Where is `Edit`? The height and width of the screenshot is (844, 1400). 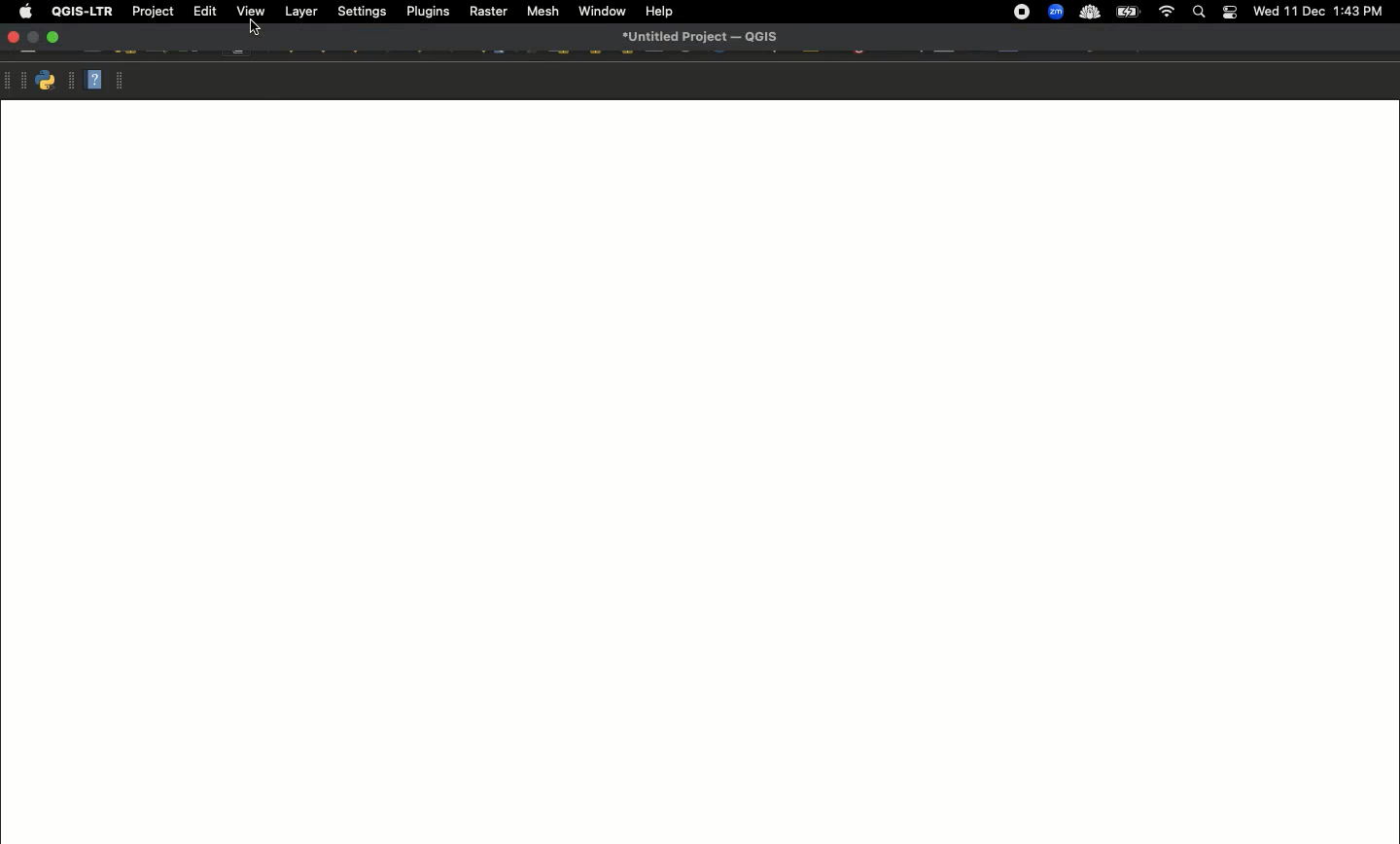 Edit is located at coordinates (205, 11).